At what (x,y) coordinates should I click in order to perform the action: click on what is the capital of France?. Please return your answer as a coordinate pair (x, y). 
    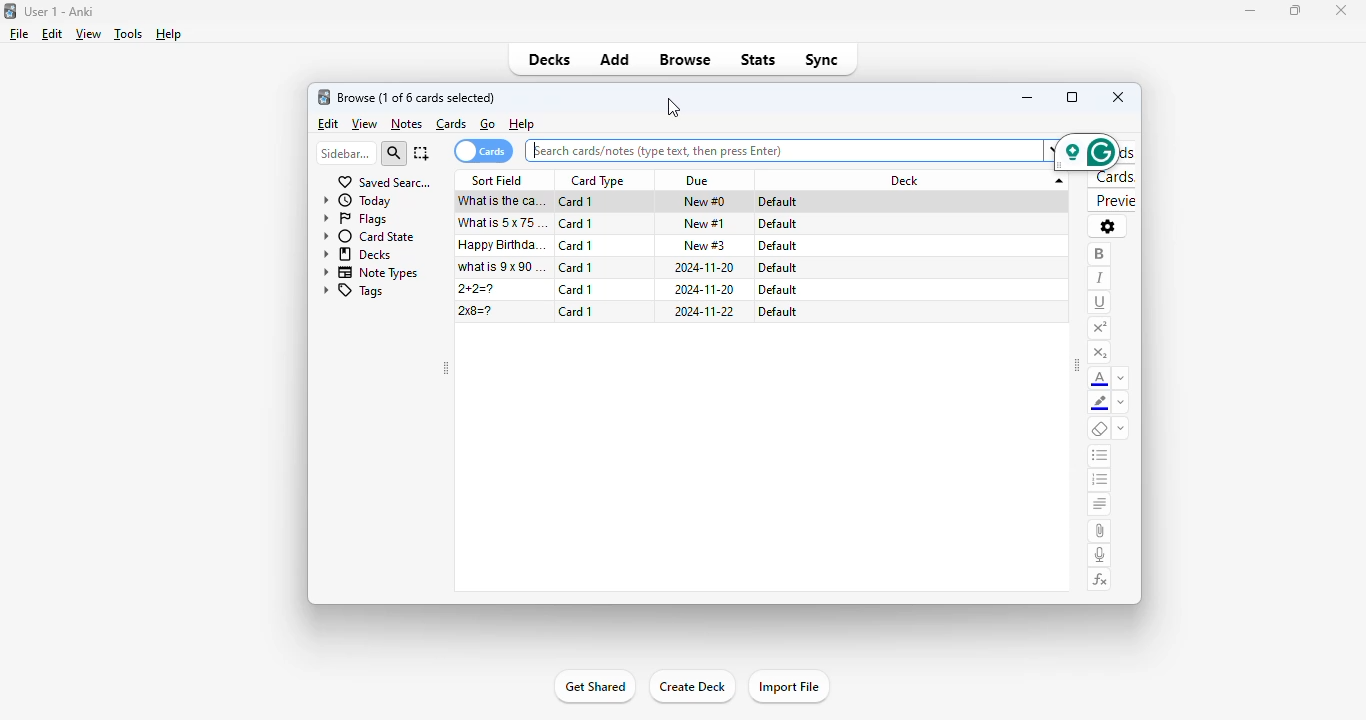
    Looking at the image, I should click on (501, 202).